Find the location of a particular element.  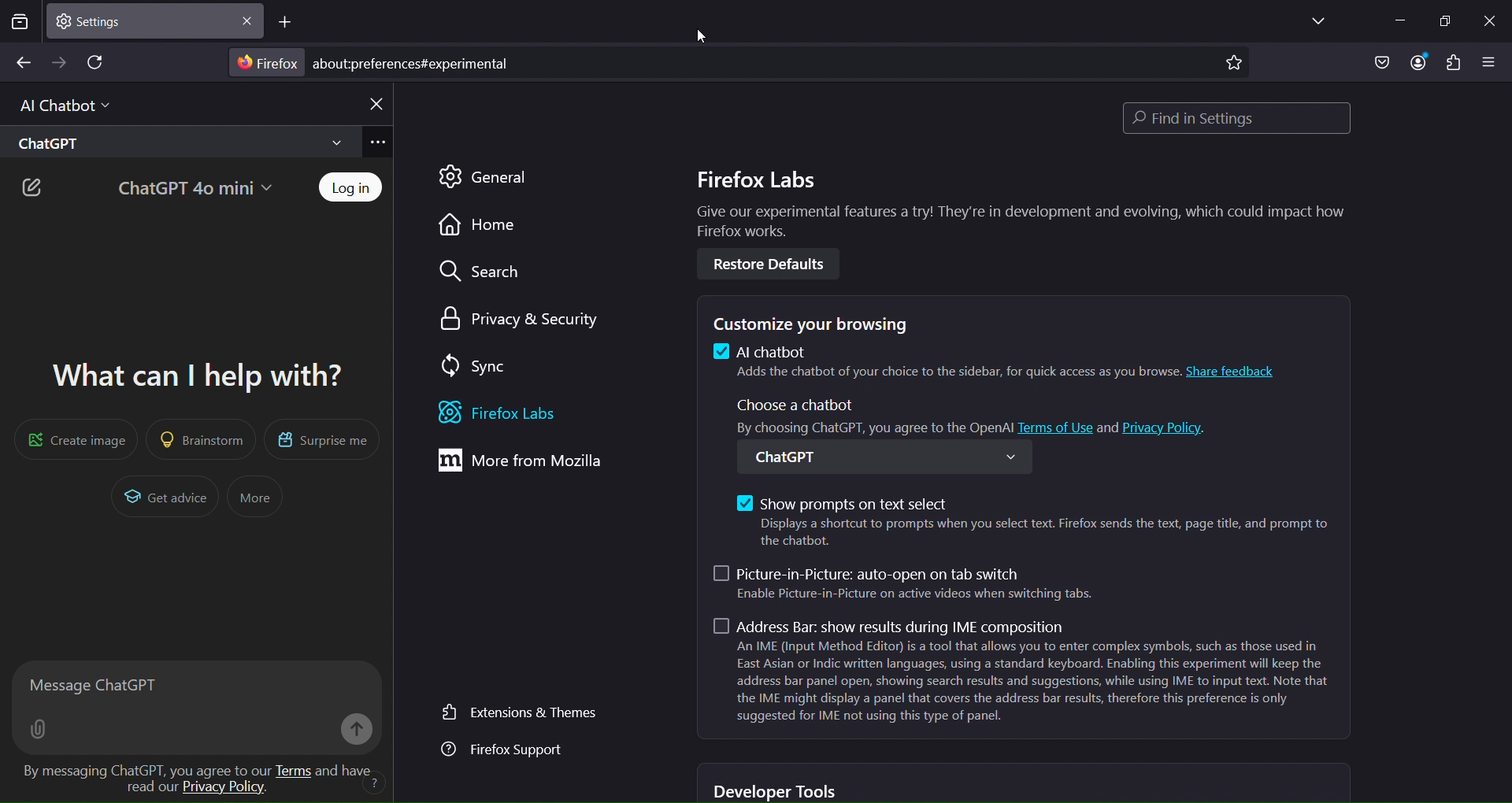

What can | help with? is located at coordinates (191, 371).